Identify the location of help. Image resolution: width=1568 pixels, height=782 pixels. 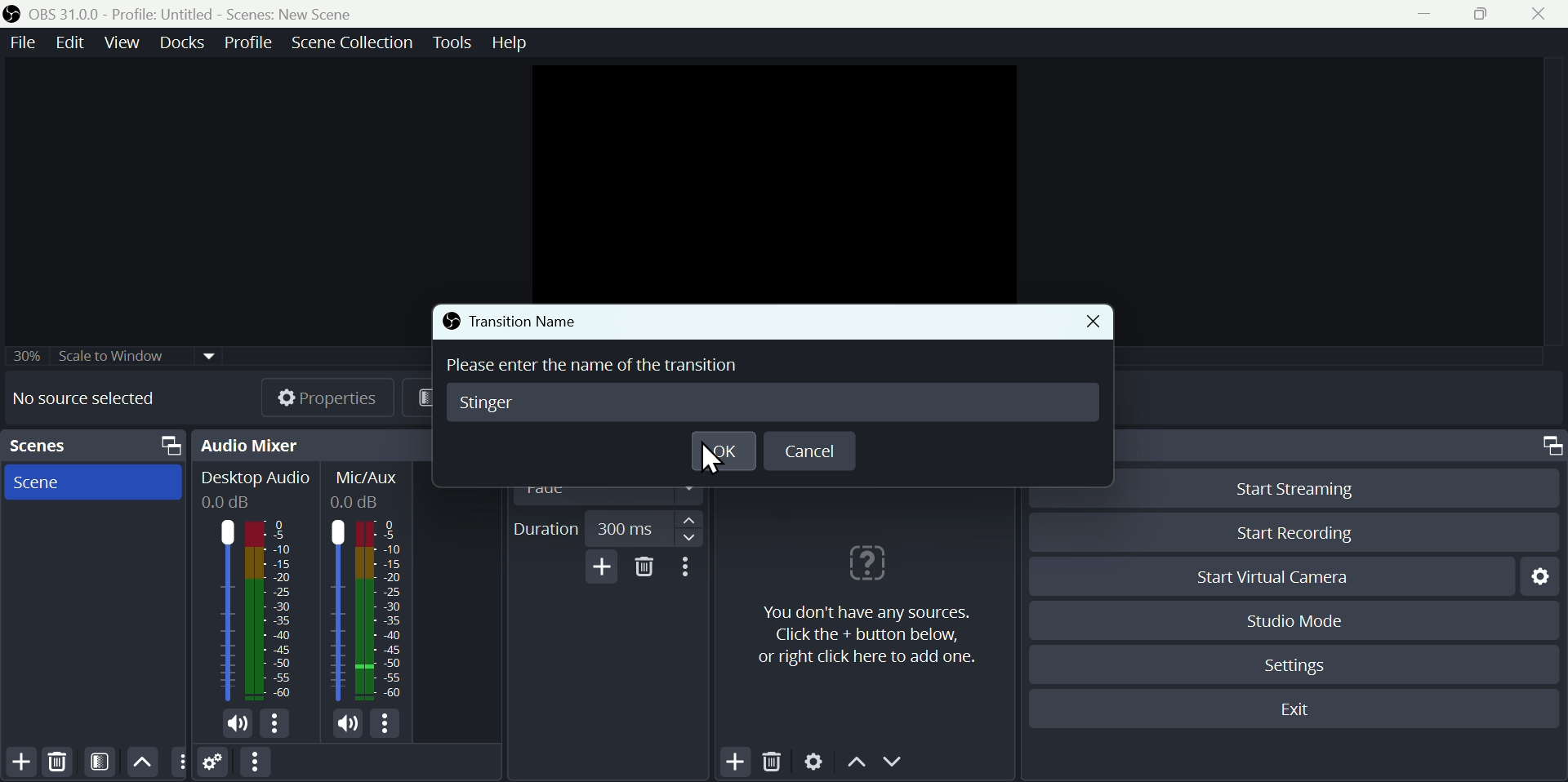
(862, 600).